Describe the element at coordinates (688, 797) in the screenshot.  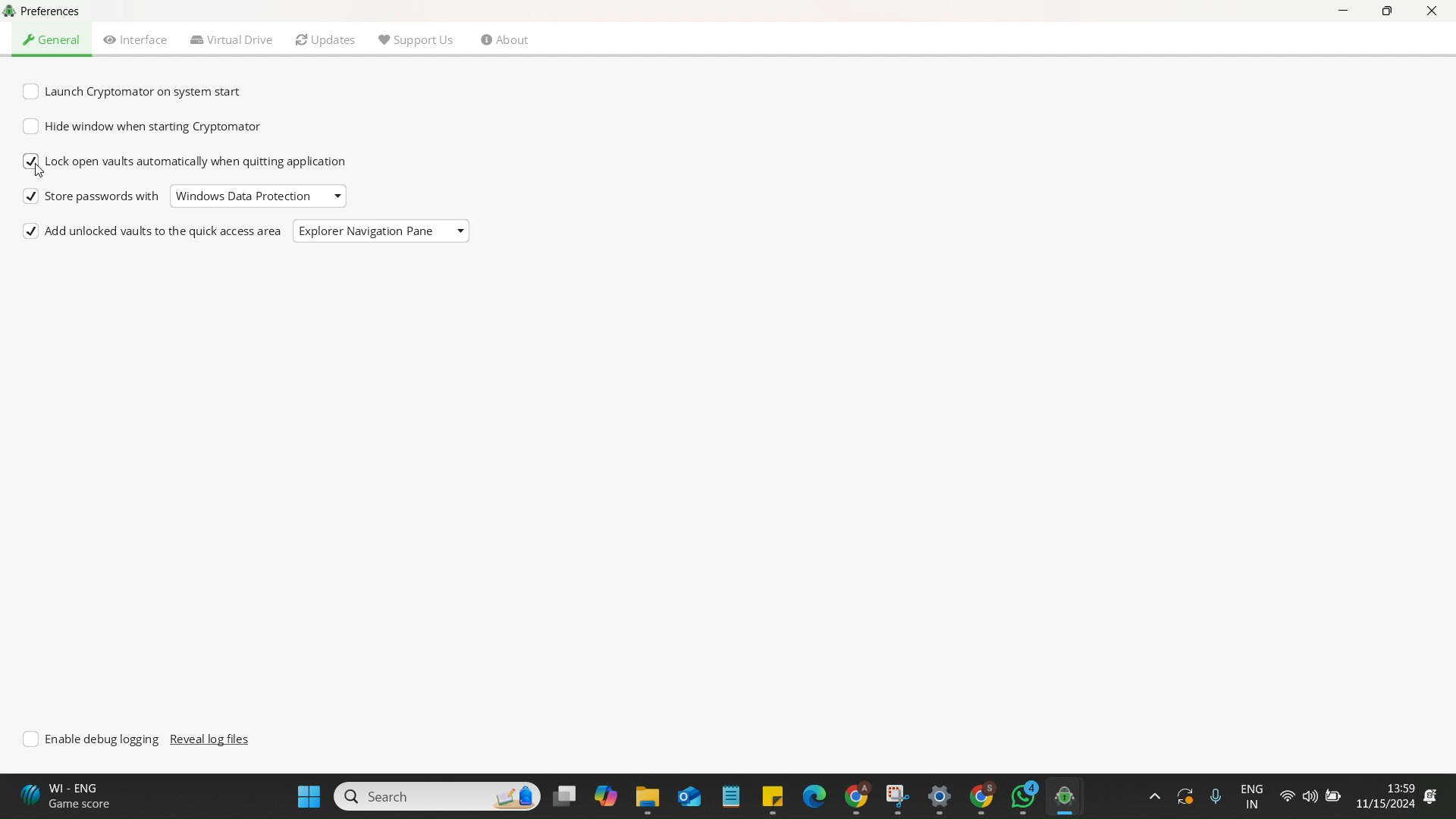
I see `Email` at that location.